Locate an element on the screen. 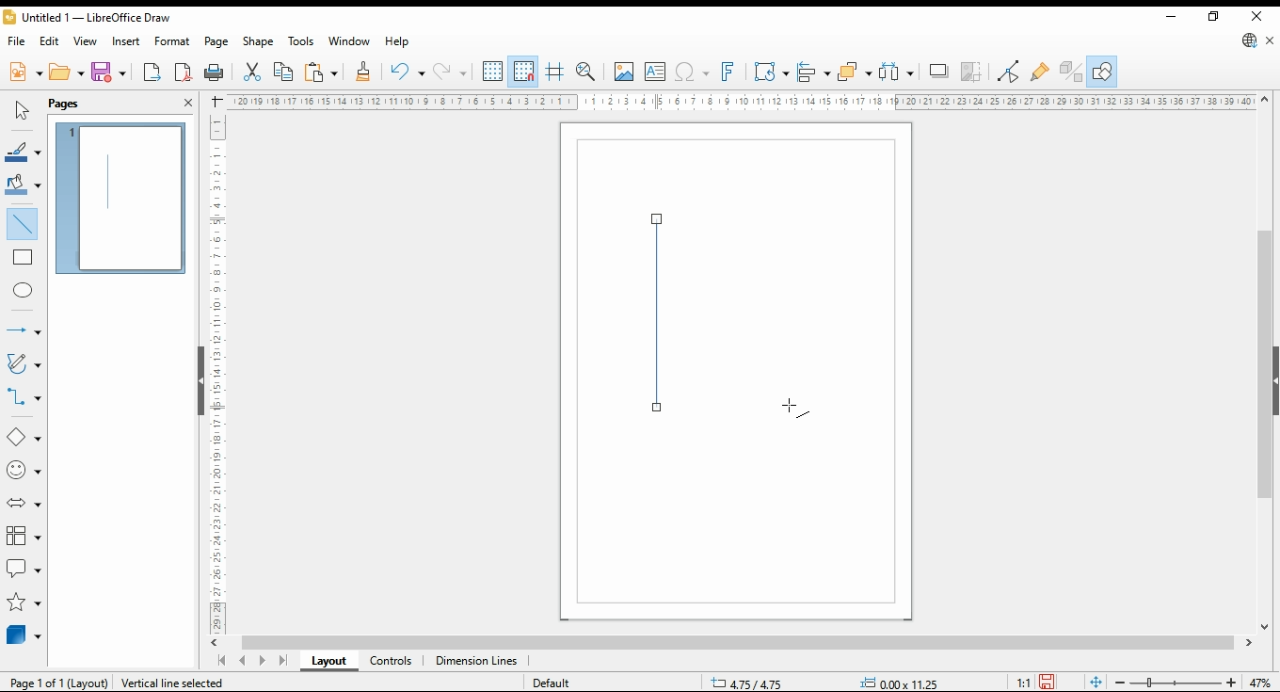  scroll bar is located at coordinates (738, 643).